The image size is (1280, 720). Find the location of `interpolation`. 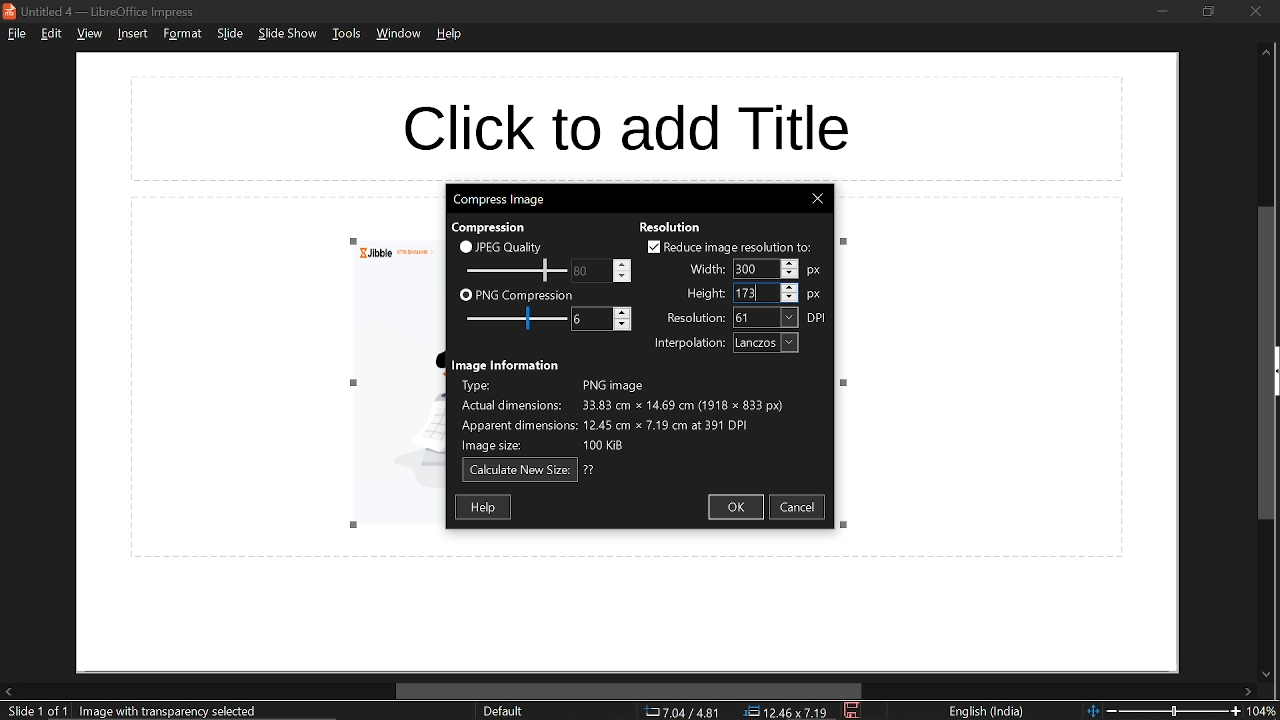

interpolation is located at coordinates (765, 343).